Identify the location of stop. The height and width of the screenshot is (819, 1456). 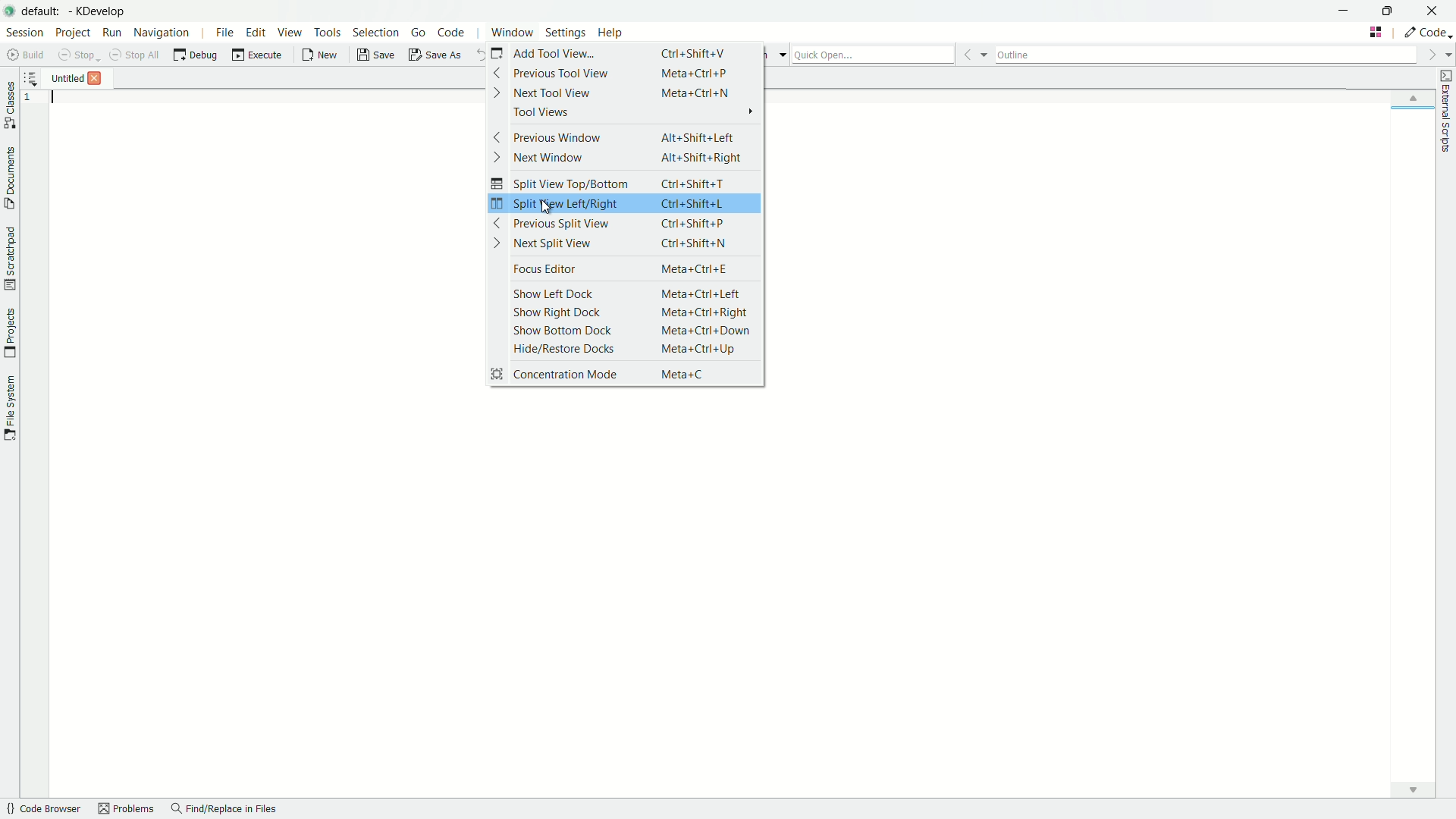
(77, 54).